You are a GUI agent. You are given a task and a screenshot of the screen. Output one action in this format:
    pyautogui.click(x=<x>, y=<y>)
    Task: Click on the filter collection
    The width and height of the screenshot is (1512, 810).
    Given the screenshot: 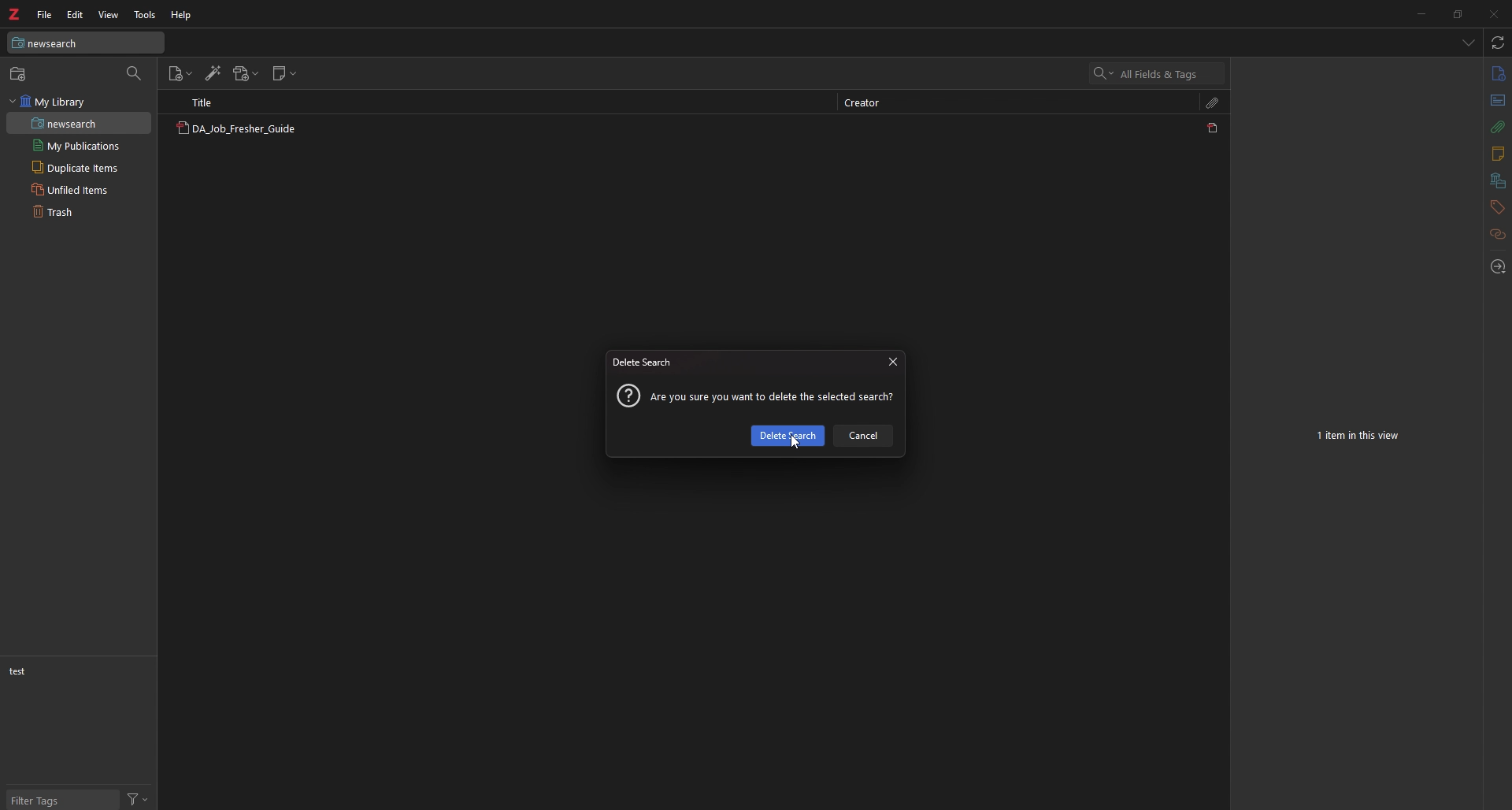 What is the action you would take?
    pyautogui.click(x=134, y=73)
    